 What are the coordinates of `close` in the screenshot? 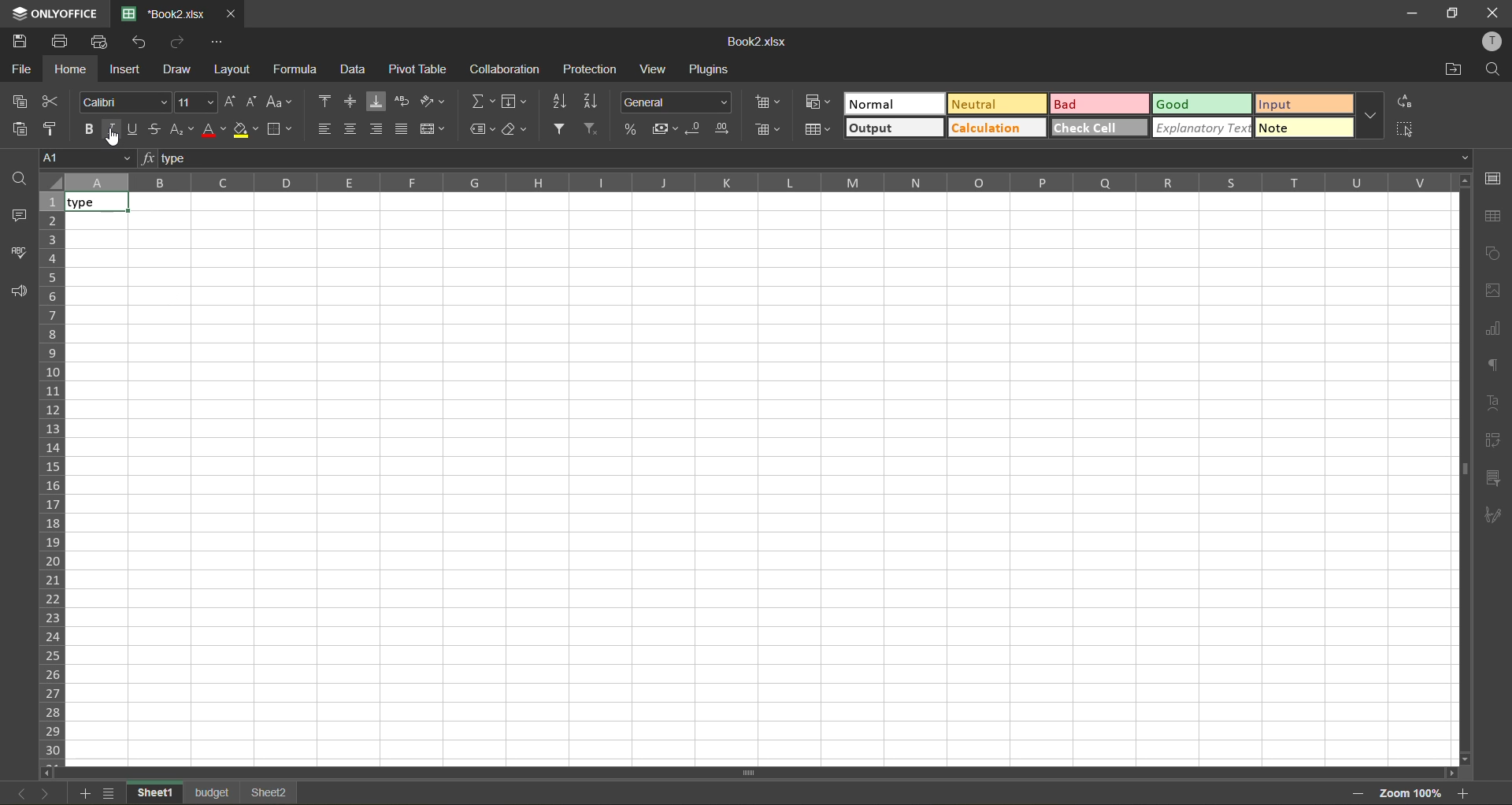 It's located at (1493, 12).